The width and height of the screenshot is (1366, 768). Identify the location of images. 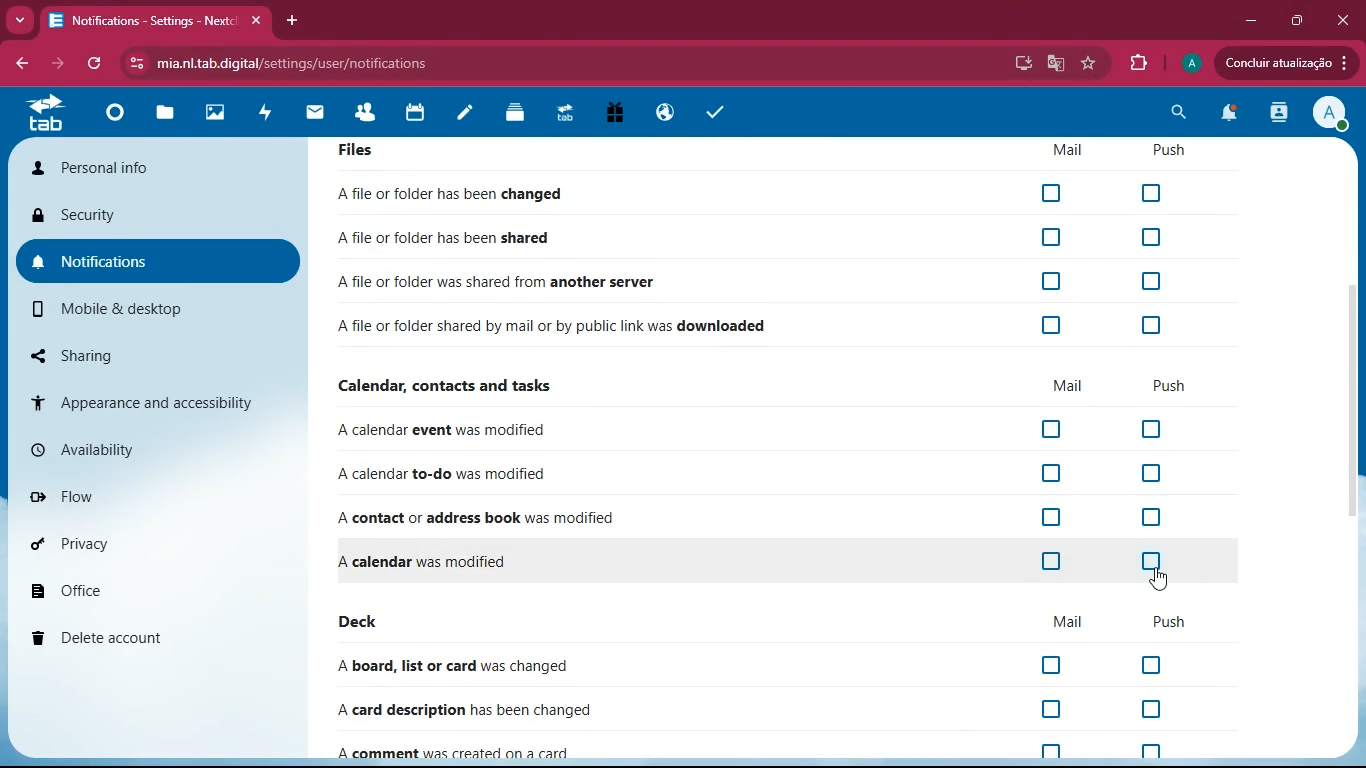
(222, 115).